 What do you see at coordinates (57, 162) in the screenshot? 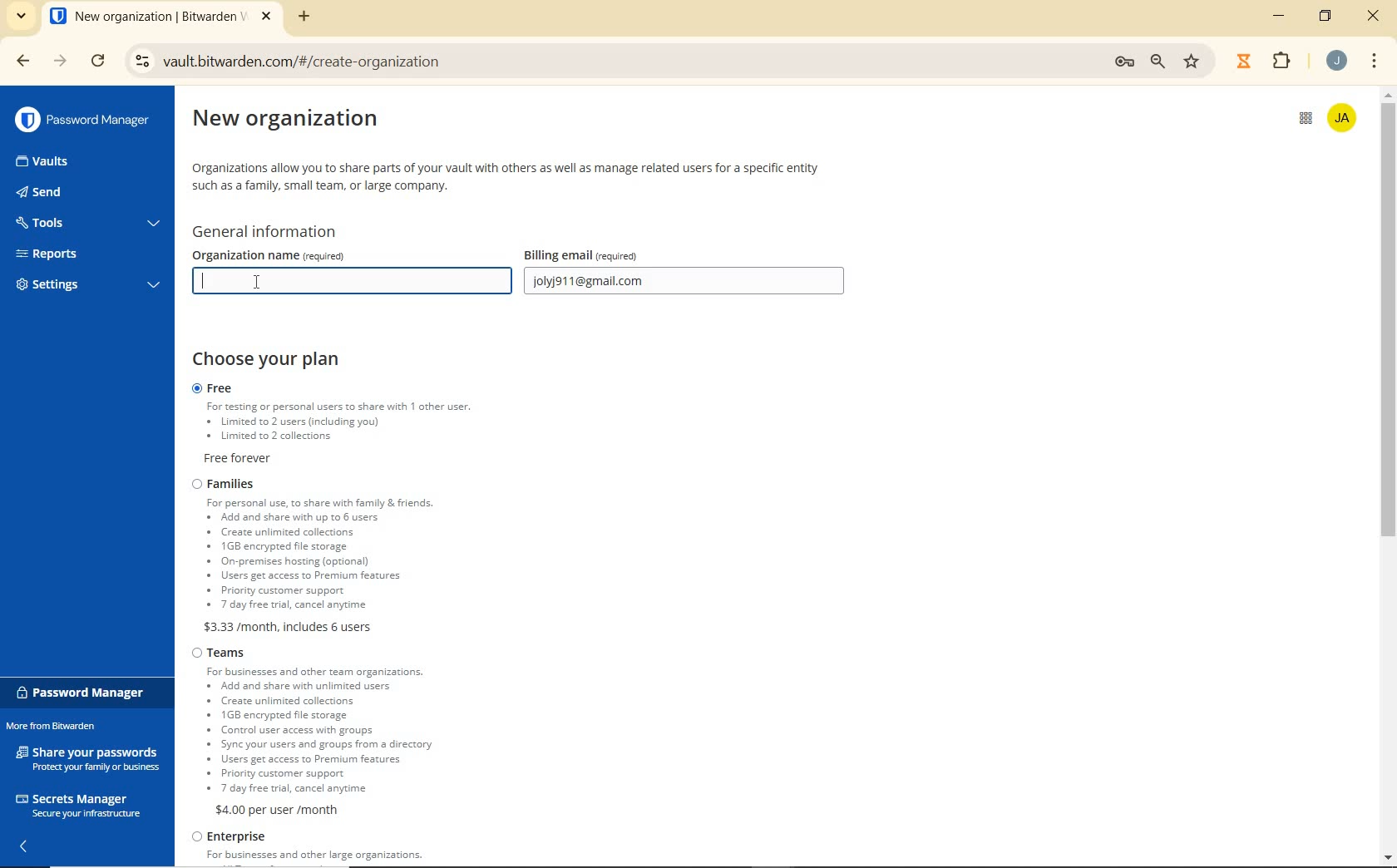
I see `vaults` at bounding box center [57, 162].